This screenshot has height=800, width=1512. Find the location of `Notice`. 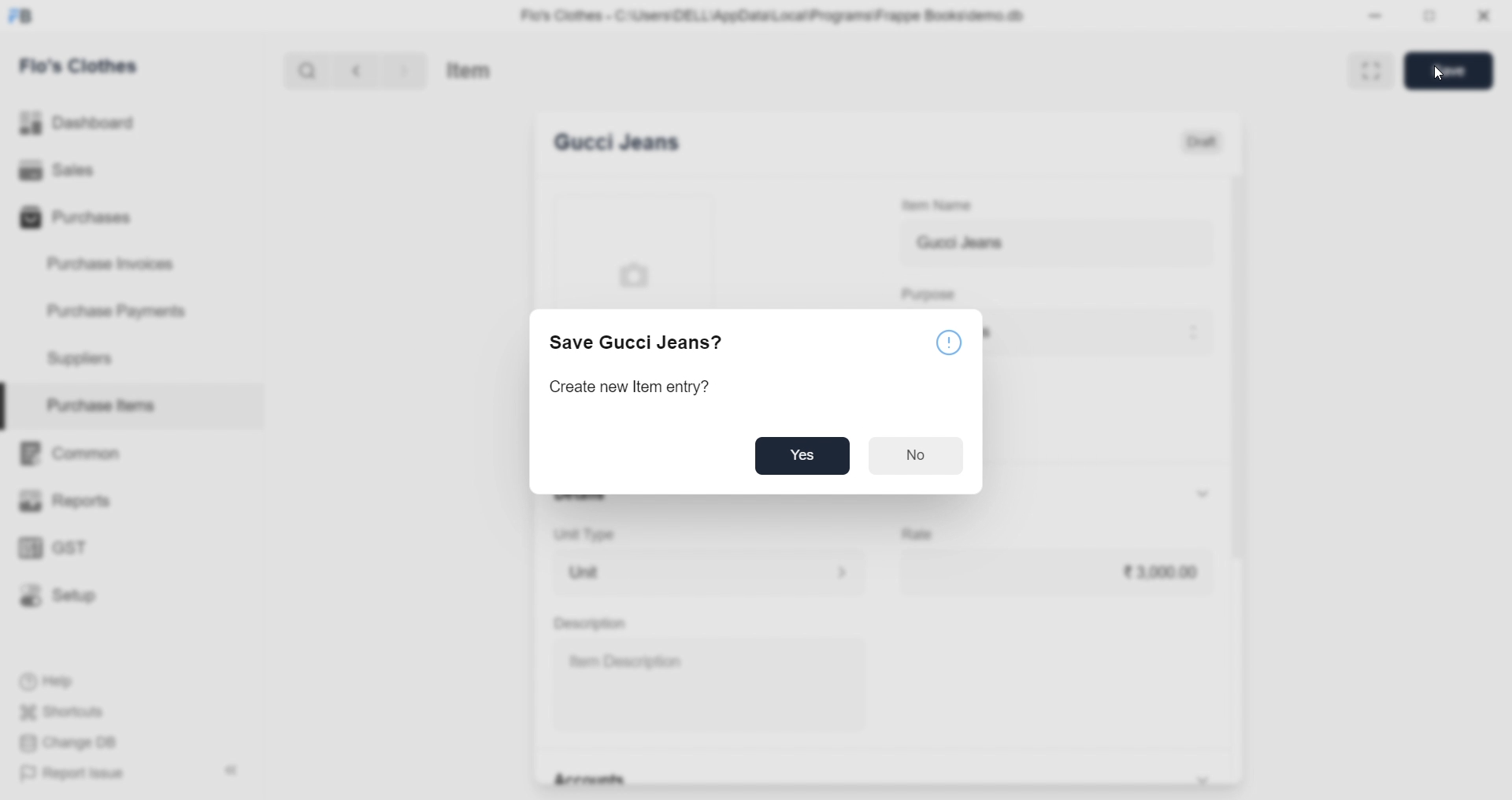

Notice is located at coordinates (947, 340).